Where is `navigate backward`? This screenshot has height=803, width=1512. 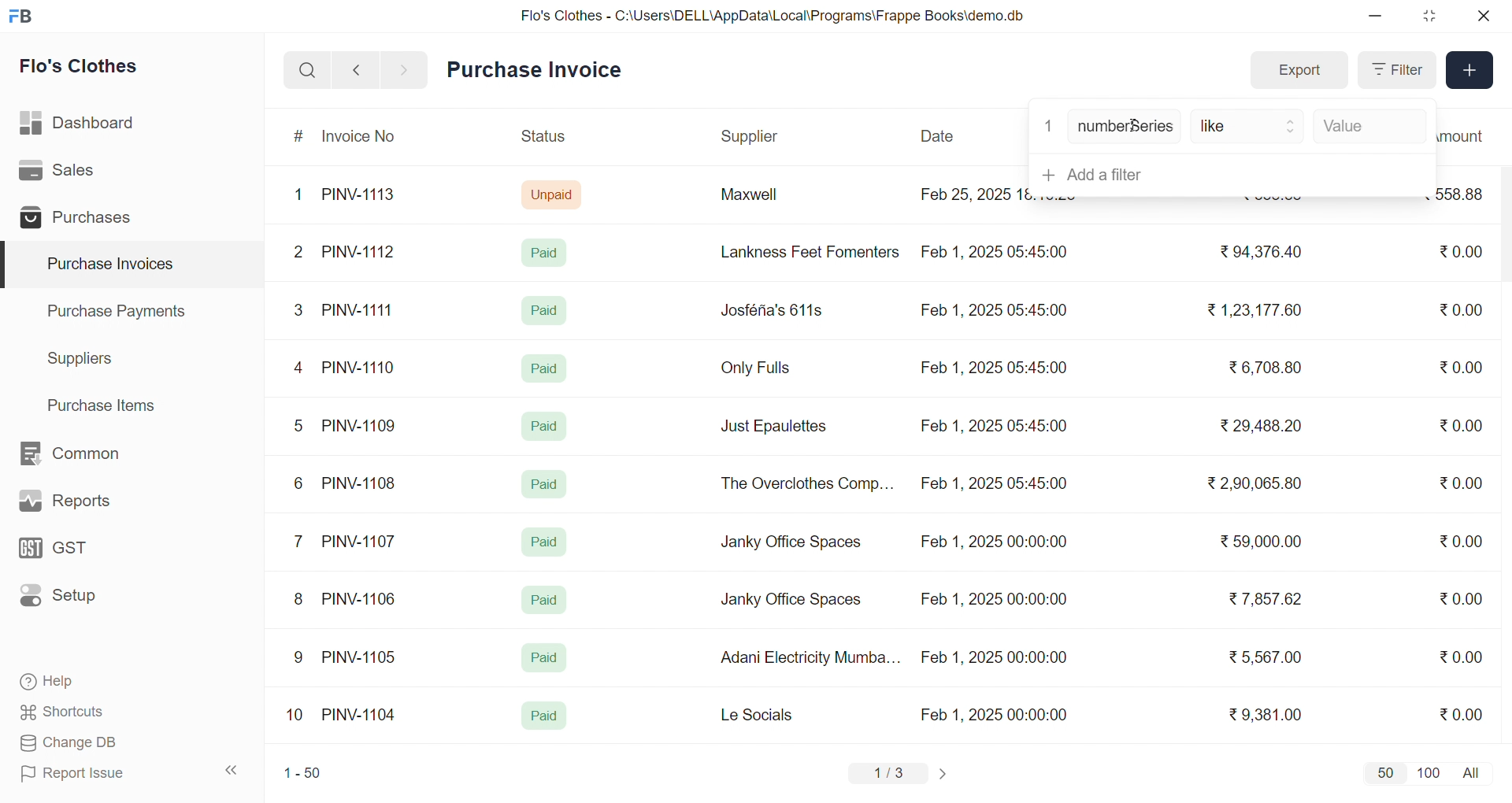
navigate backward is located at coordinates (356, 69).